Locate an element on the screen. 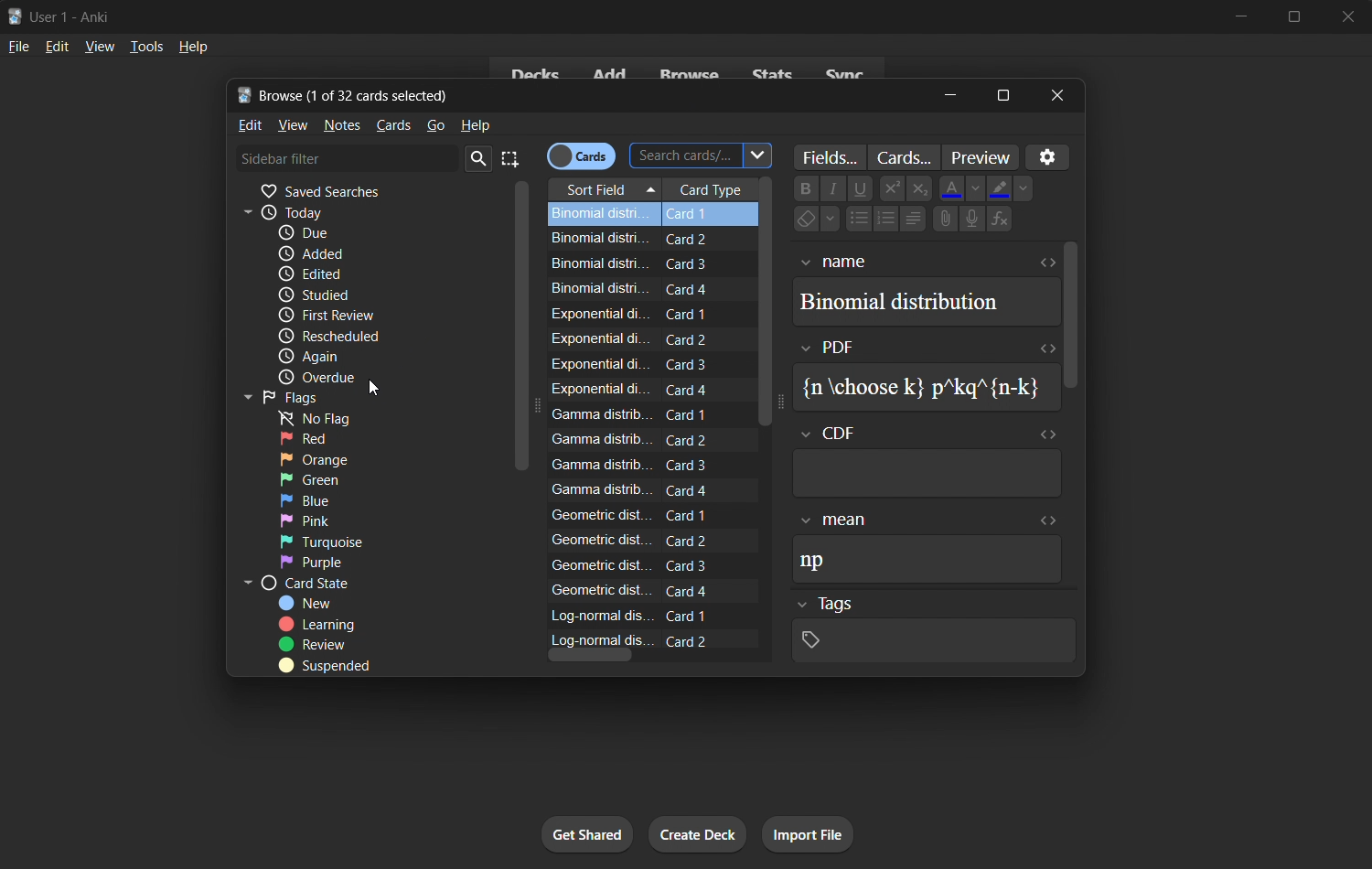  np is located at coordinates (914, 559).